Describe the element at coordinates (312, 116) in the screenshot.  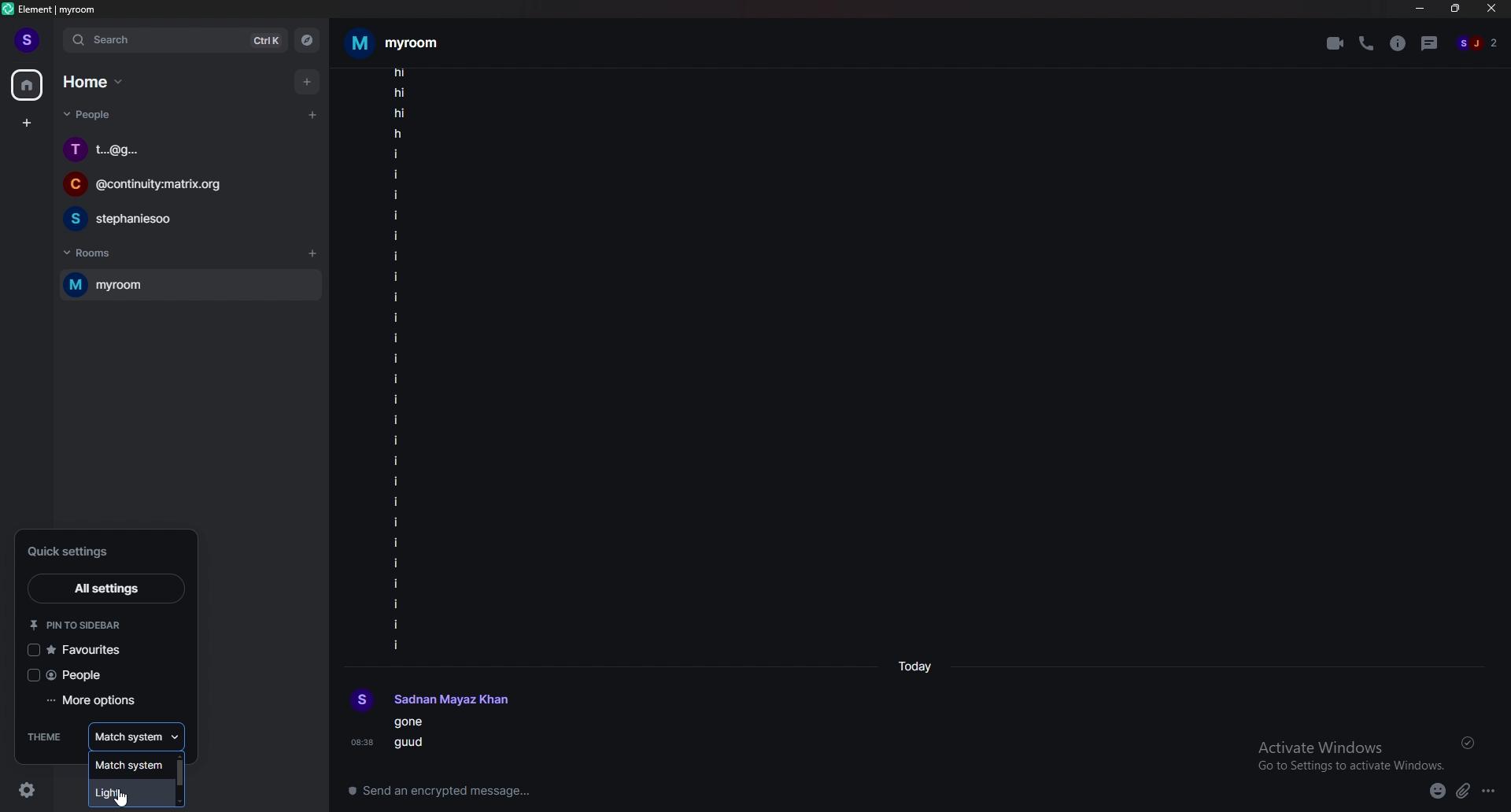
I see `start chat` at that location.